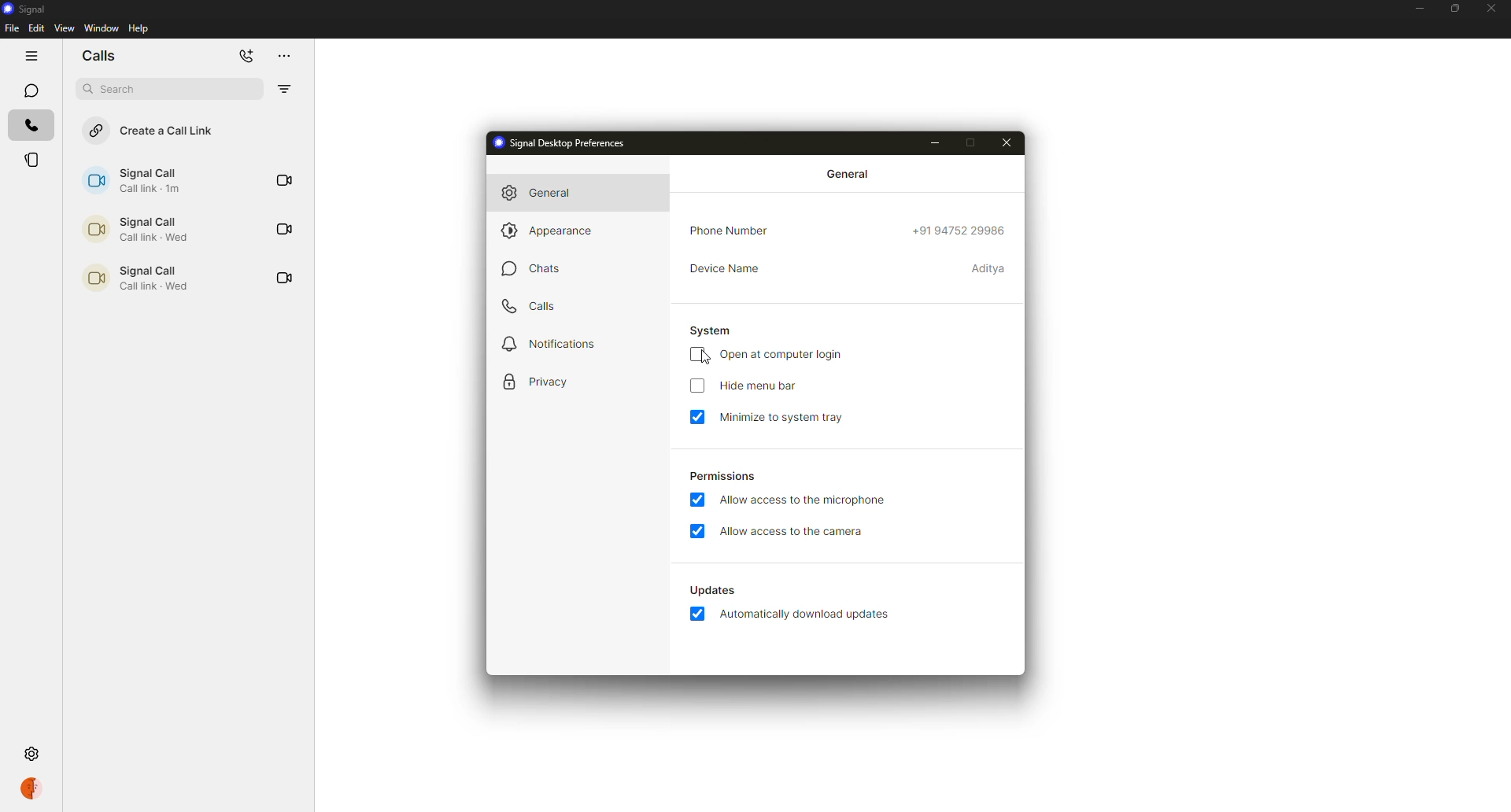  Describe the element at coordinates (537, 267) in the screenshot. I see `chats` at that location.